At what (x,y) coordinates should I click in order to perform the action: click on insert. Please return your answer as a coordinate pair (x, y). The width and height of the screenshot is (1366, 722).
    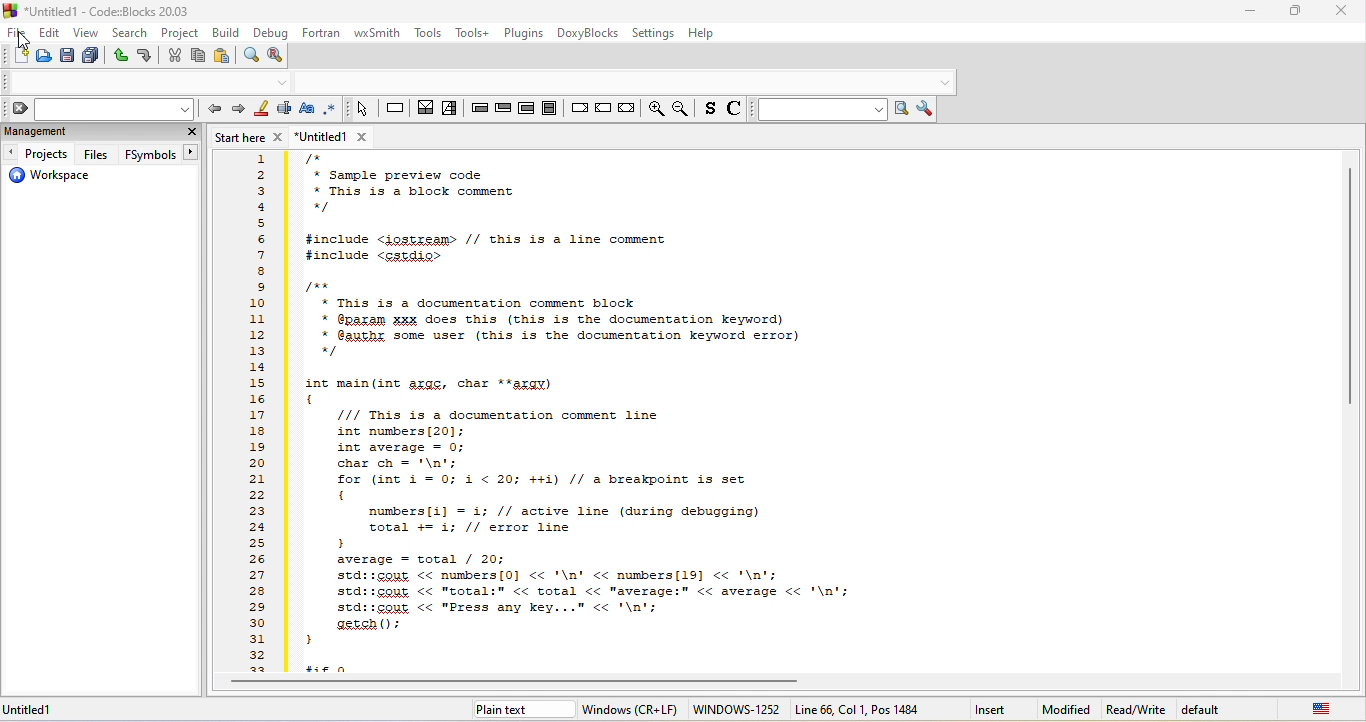
    Looking at the image, I should click on (991, 710).